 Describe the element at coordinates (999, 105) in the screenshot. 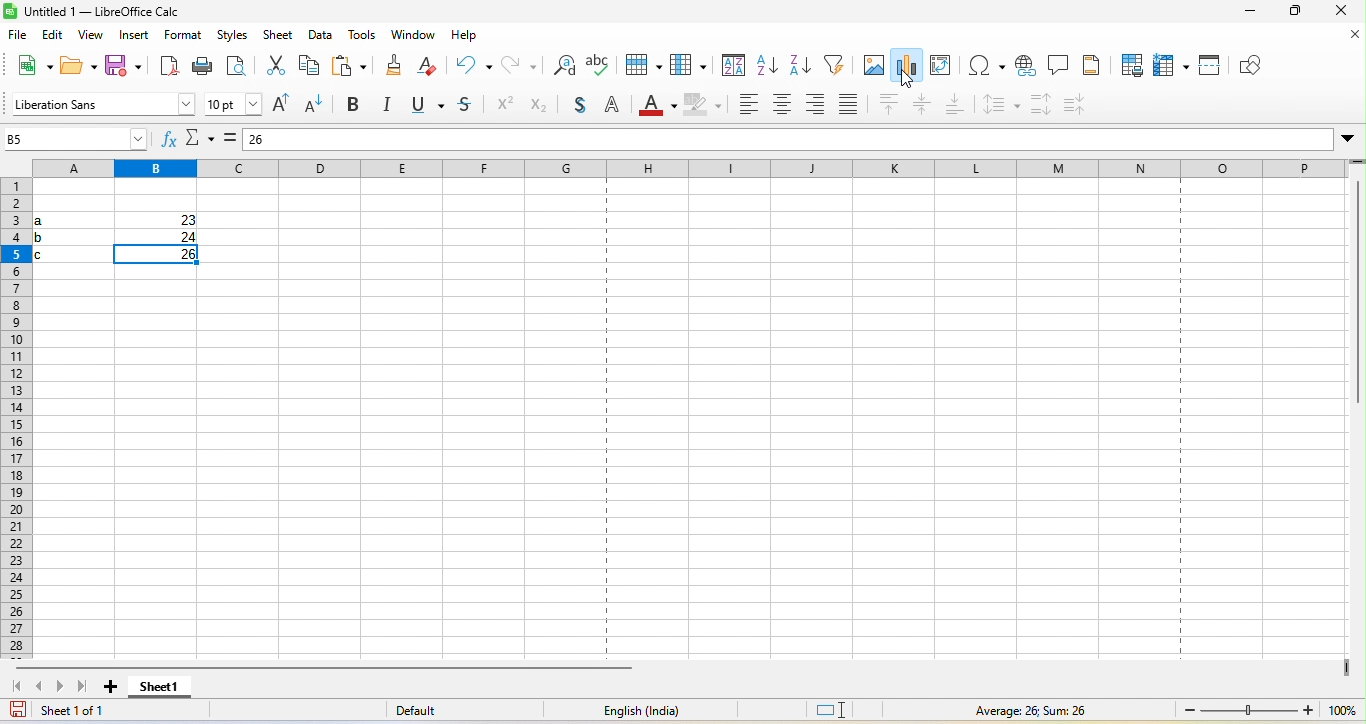

I see `set line spacing` at that location.